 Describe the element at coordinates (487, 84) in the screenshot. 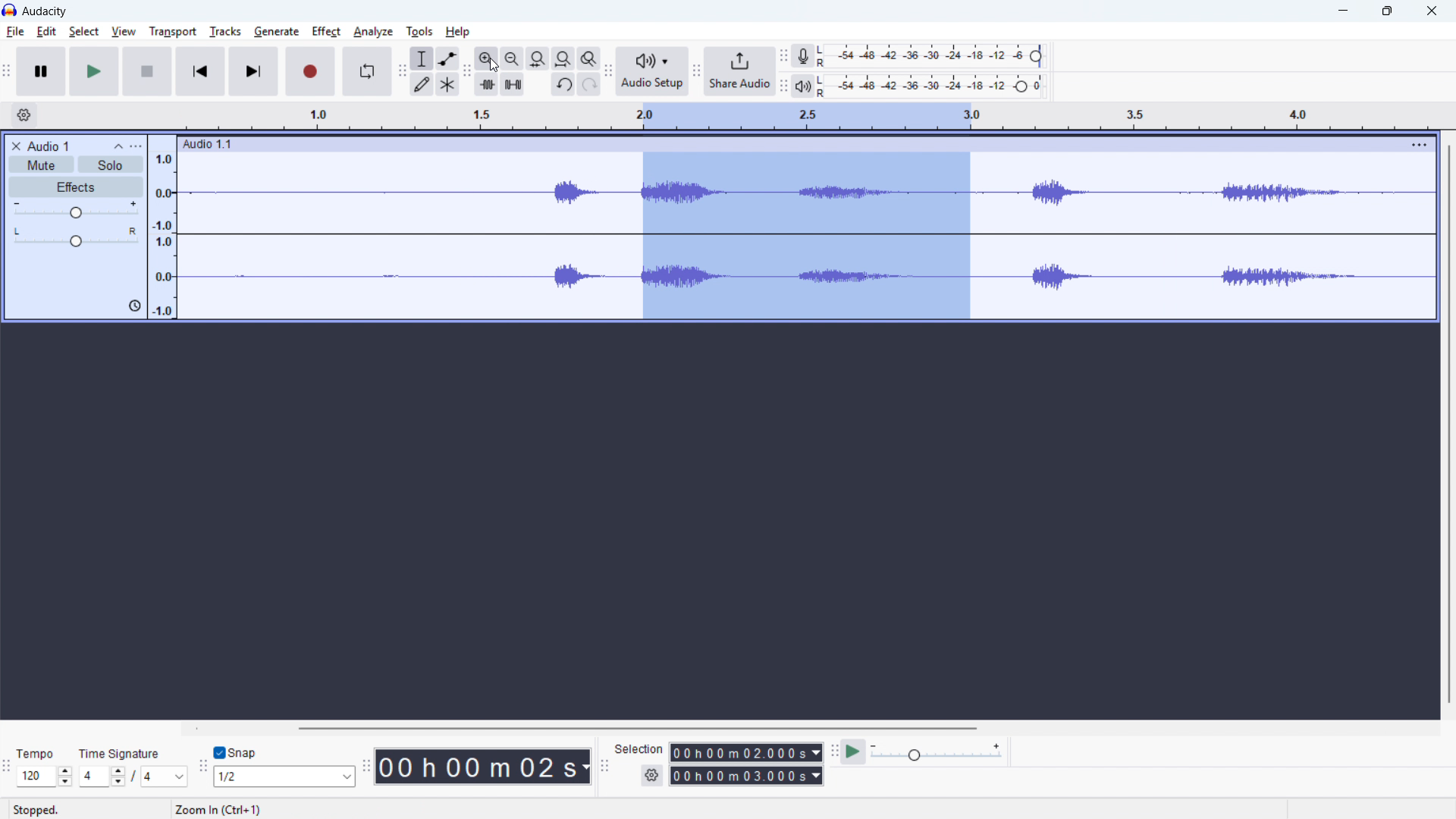

I see `Trim audio outside selection` at that location.